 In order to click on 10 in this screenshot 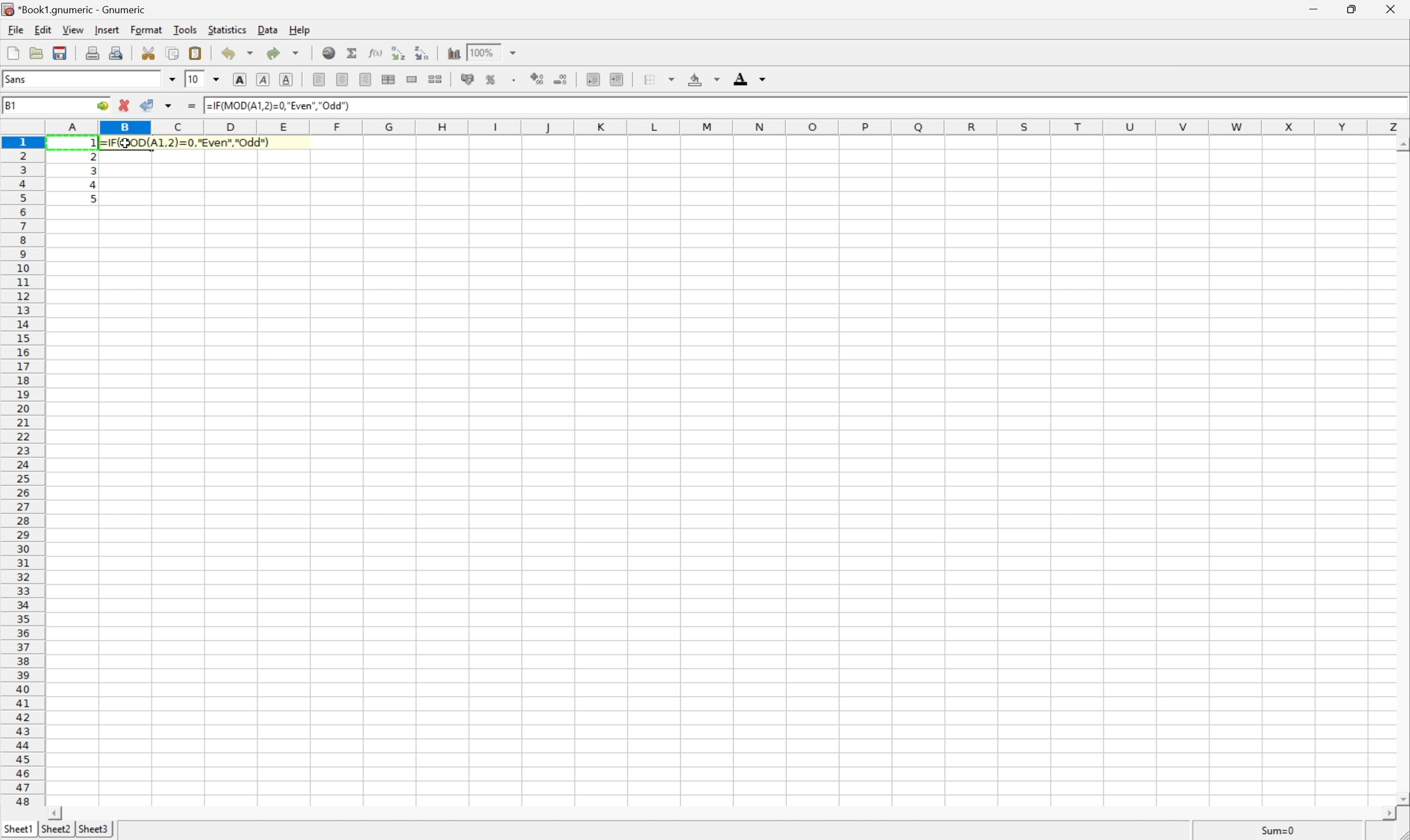, I will do `click(195, 79)`.